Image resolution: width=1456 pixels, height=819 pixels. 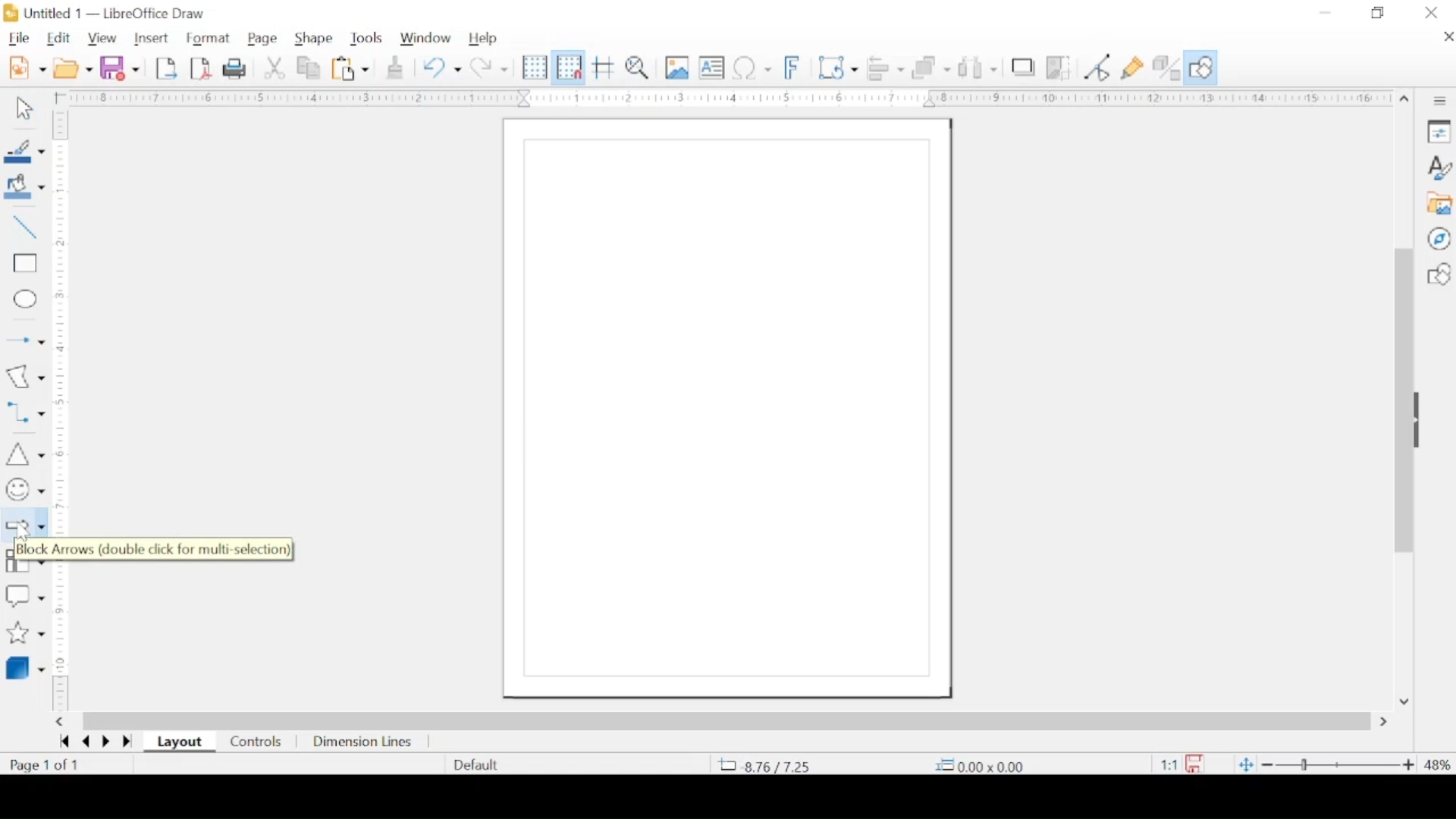 What do you see at coordinates (489, 67) in the screenshot?
I see `redo` at bounding box center [489, 67].